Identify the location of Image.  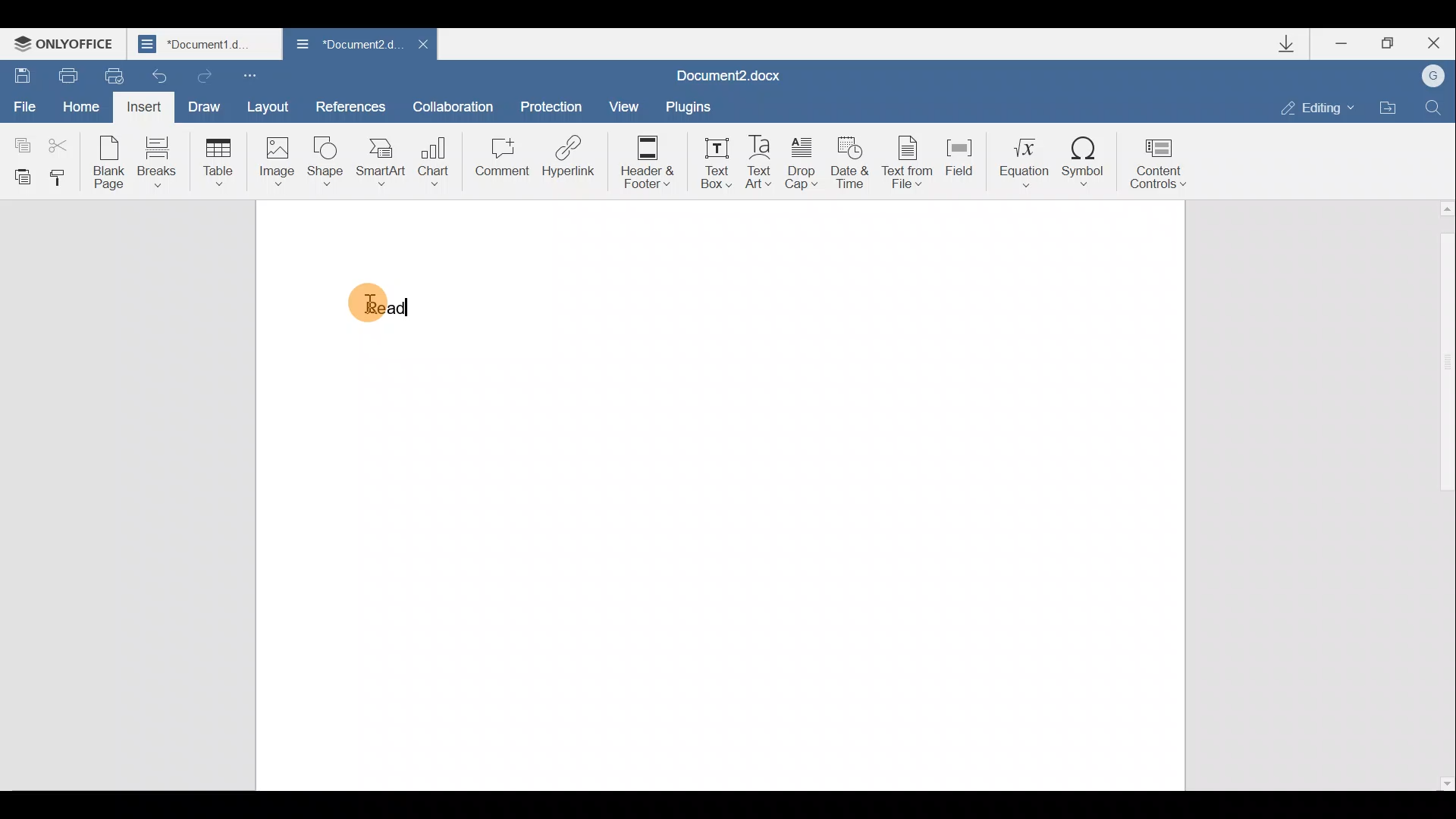
(276, 161).